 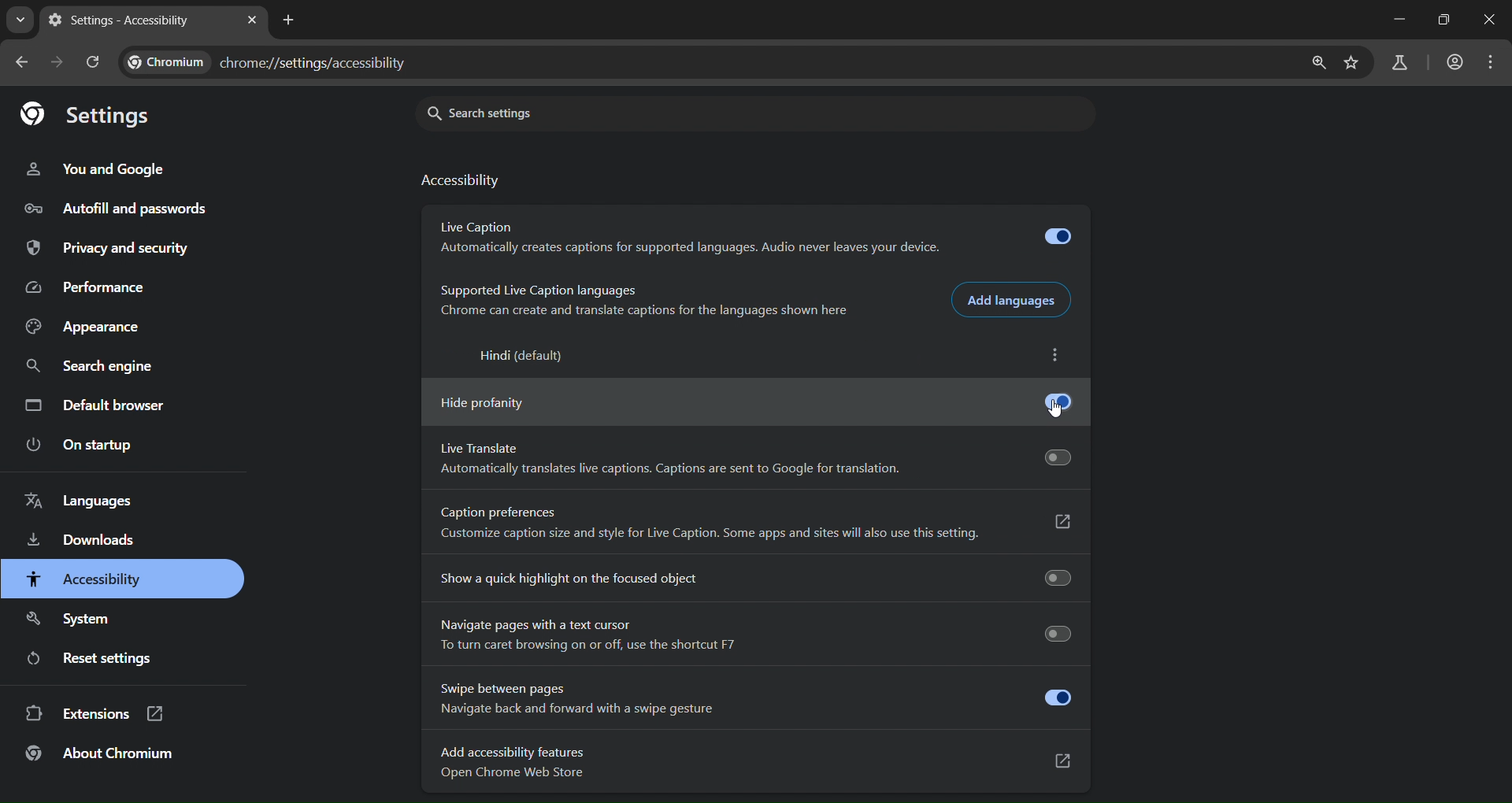 What do you see at coordinates (753, 461) in the screenshot?
I see `Live Translate
Automatically translates live captions. Captions are sent to Google for translation.` at bounding box center [753, 461].